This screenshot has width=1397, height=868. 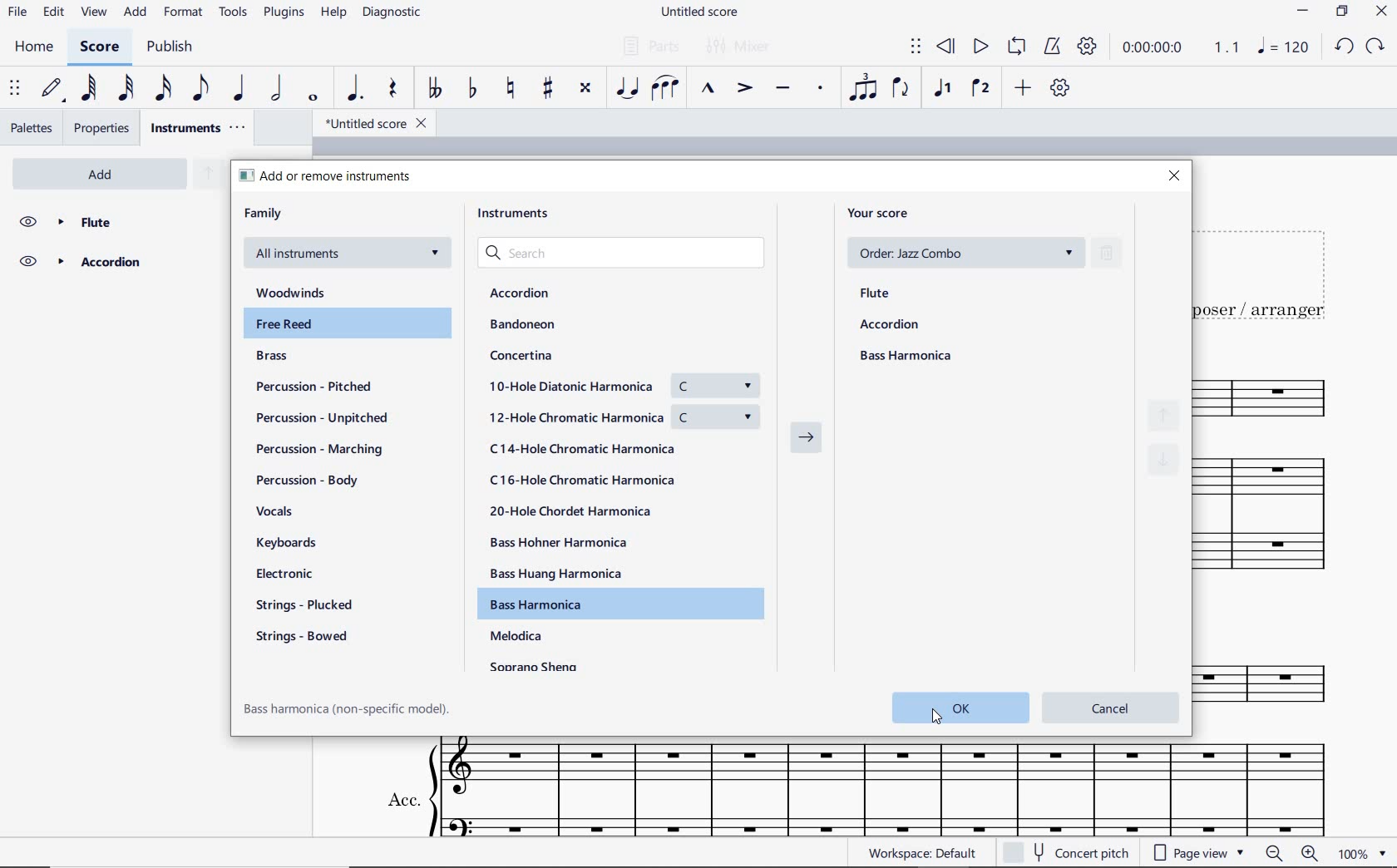 I want to click on add or remove instruments, so click(x=328, y=176).